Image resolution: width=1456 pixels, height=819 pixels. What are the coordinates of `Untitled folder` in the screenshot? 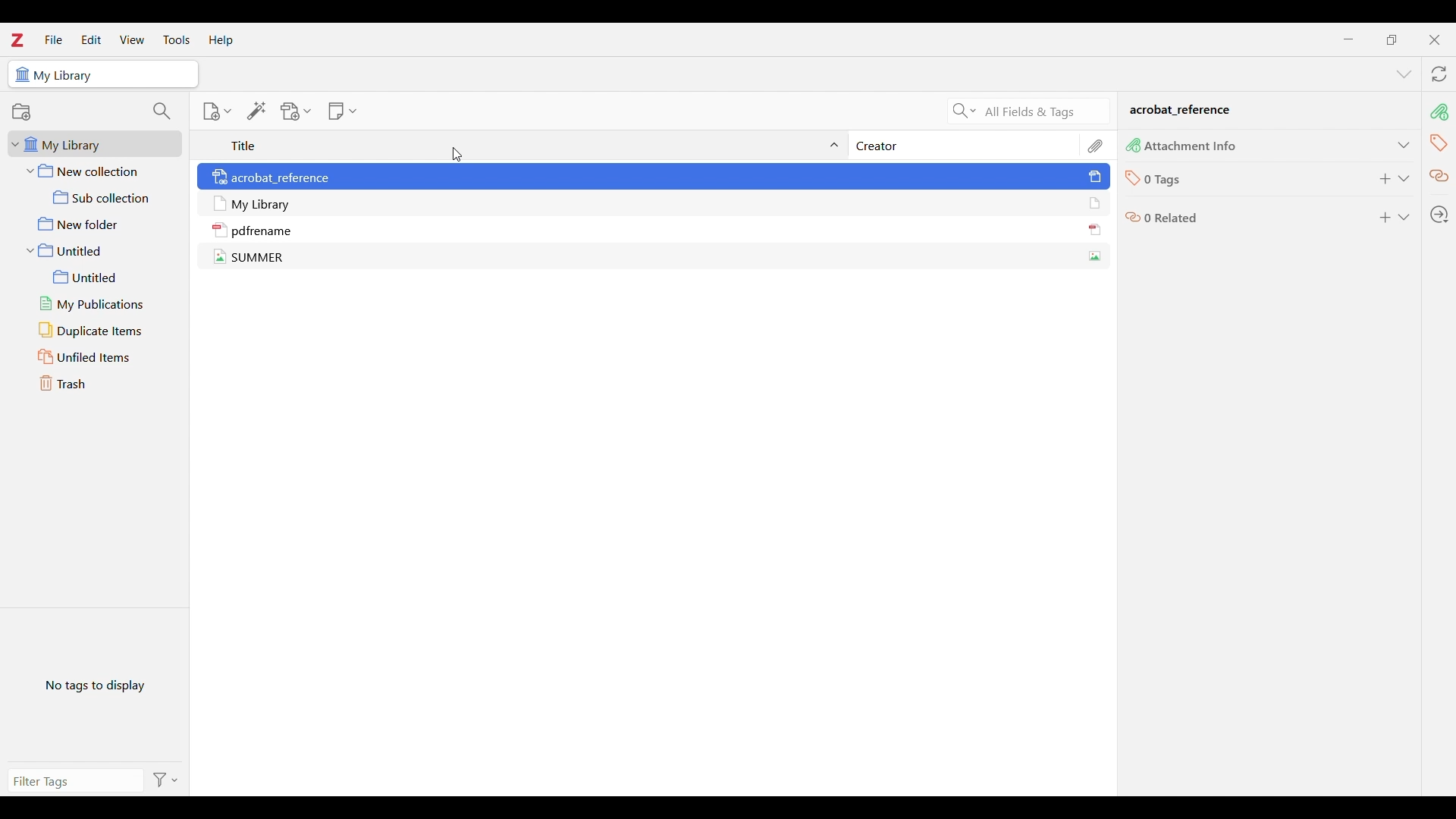 It's located at (96, 250).